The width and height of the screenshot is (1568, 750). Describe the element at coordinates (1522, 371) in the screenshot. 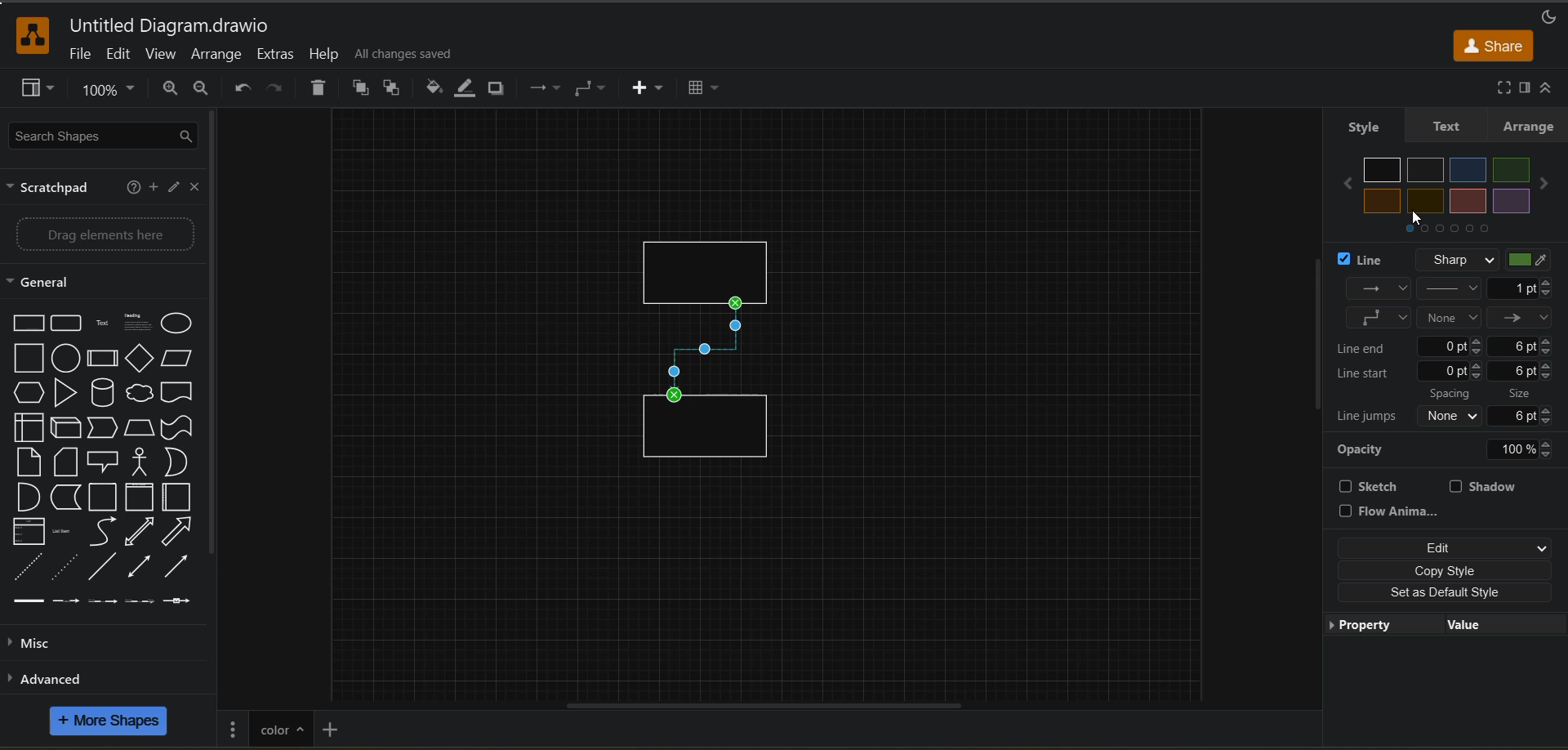

I see `6pt` at that location.